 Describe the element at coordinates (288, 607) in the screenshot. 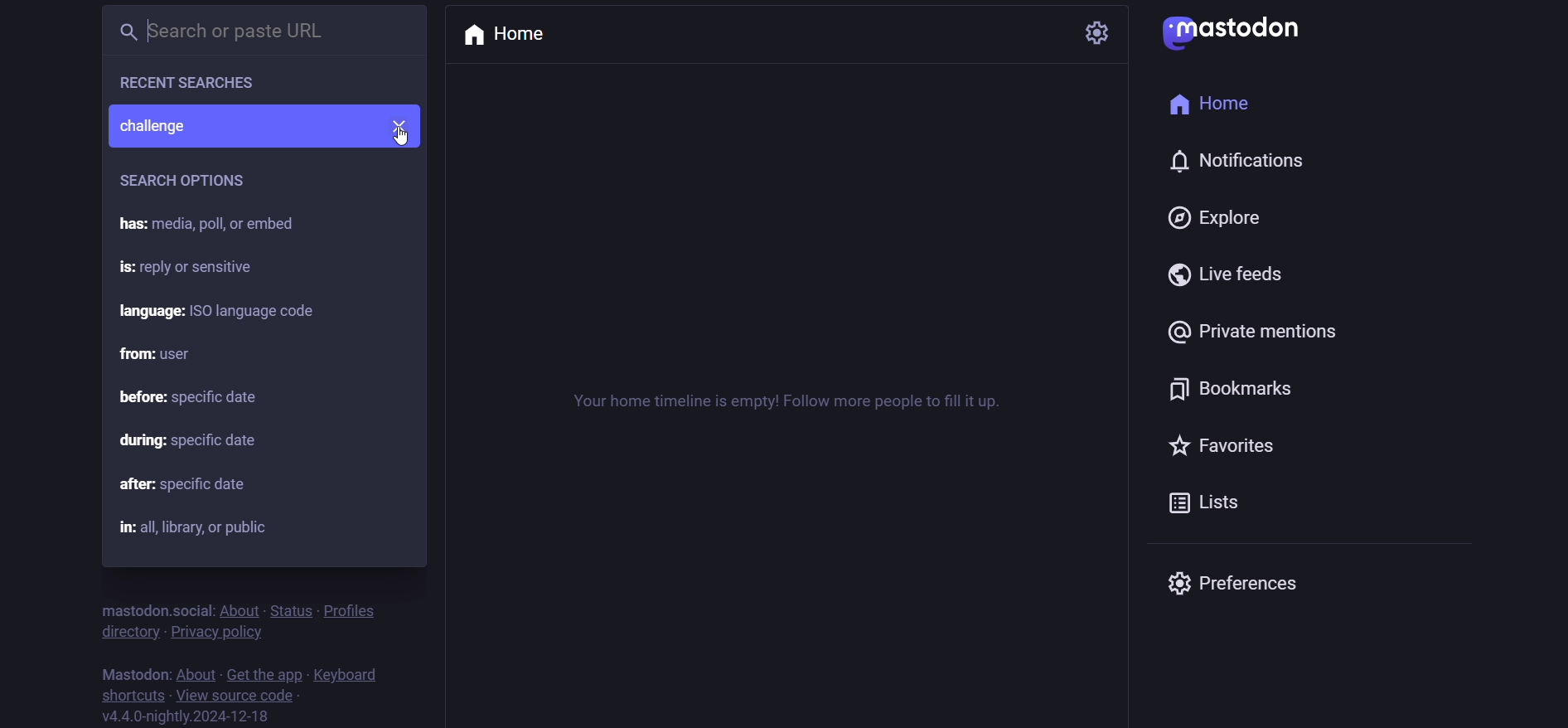

I see `status` at that location.